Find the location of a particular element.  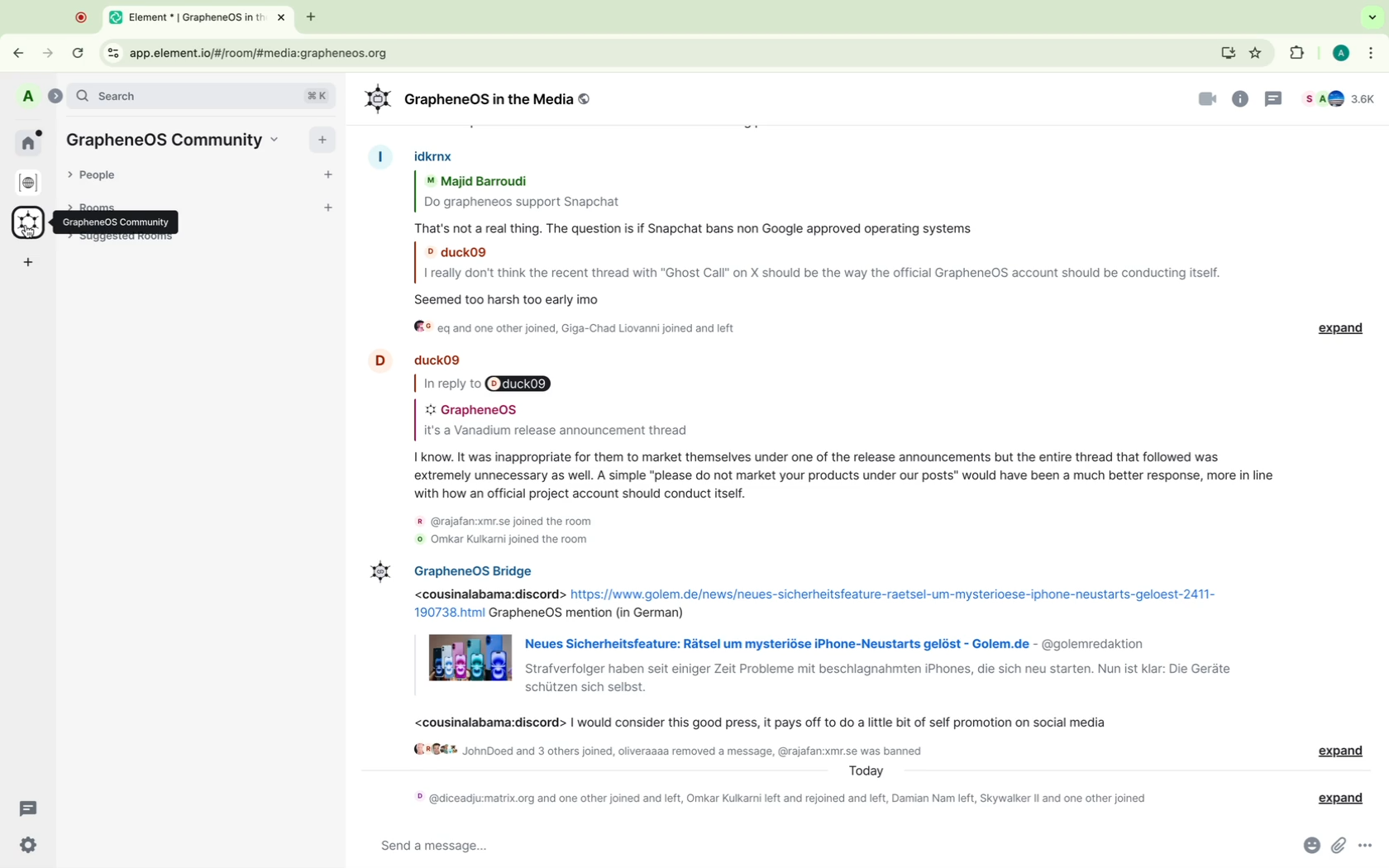

install elements is located at coordinates (1229, 55).